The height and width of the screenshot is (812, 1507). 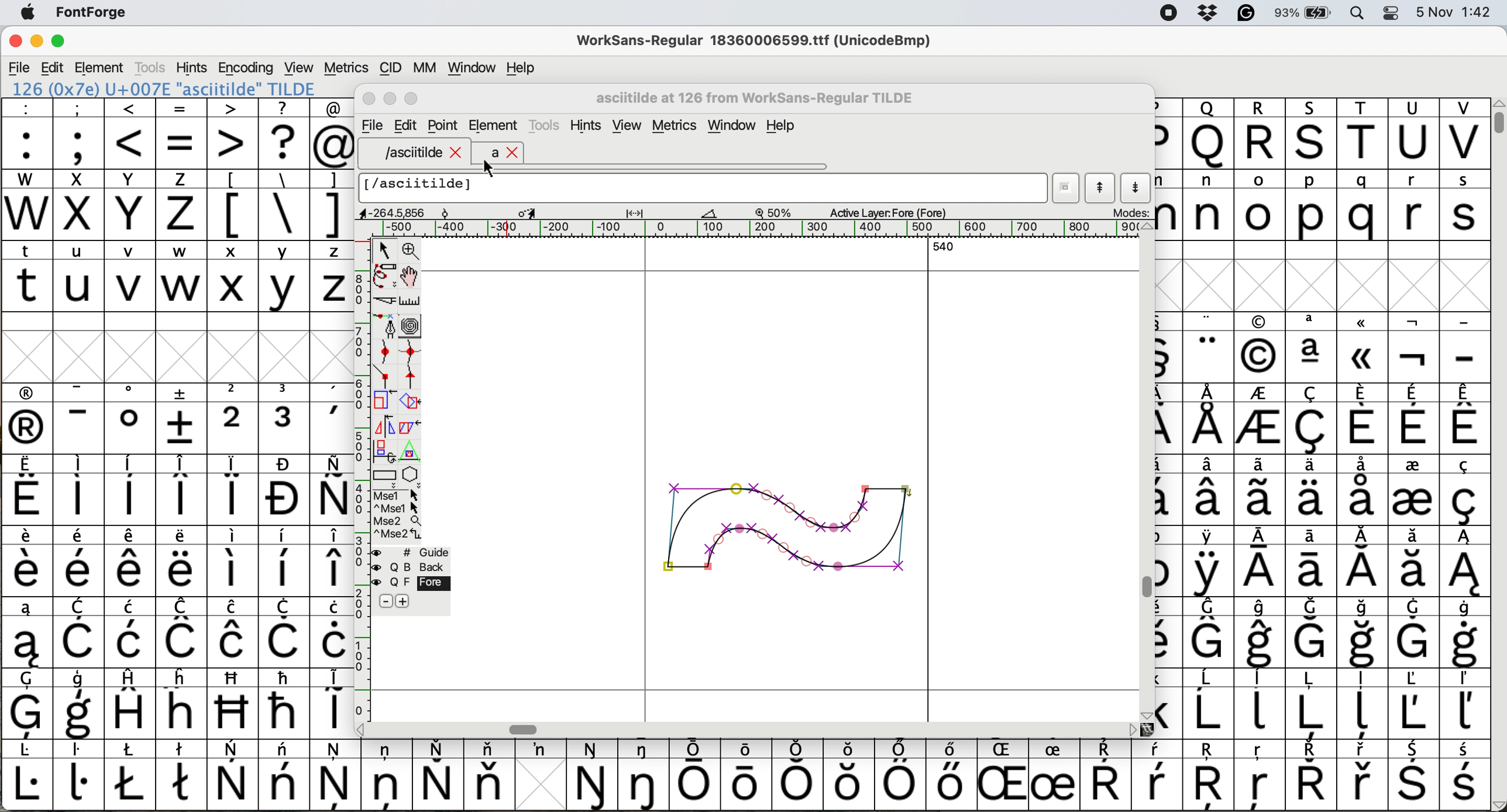 What do you see at coordinates (78, 205) in the screenshot?
I see `x` at bounding box center [78, 205].